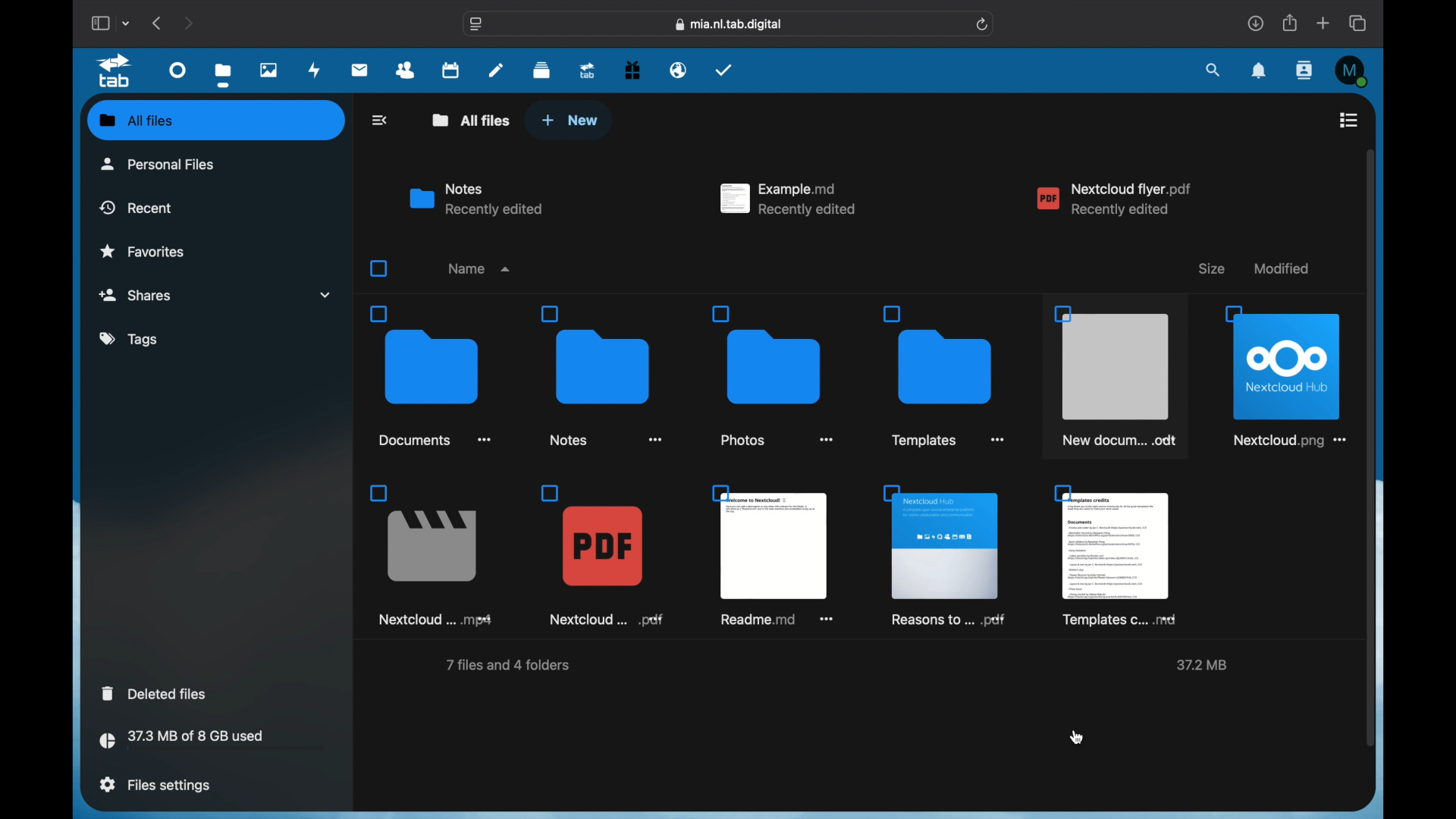 The width and height of the screenshot is (1456, 819). What do you see at coordinates (188, 23) in the screenshot?
I see `next` at bounding box center [188, 23].